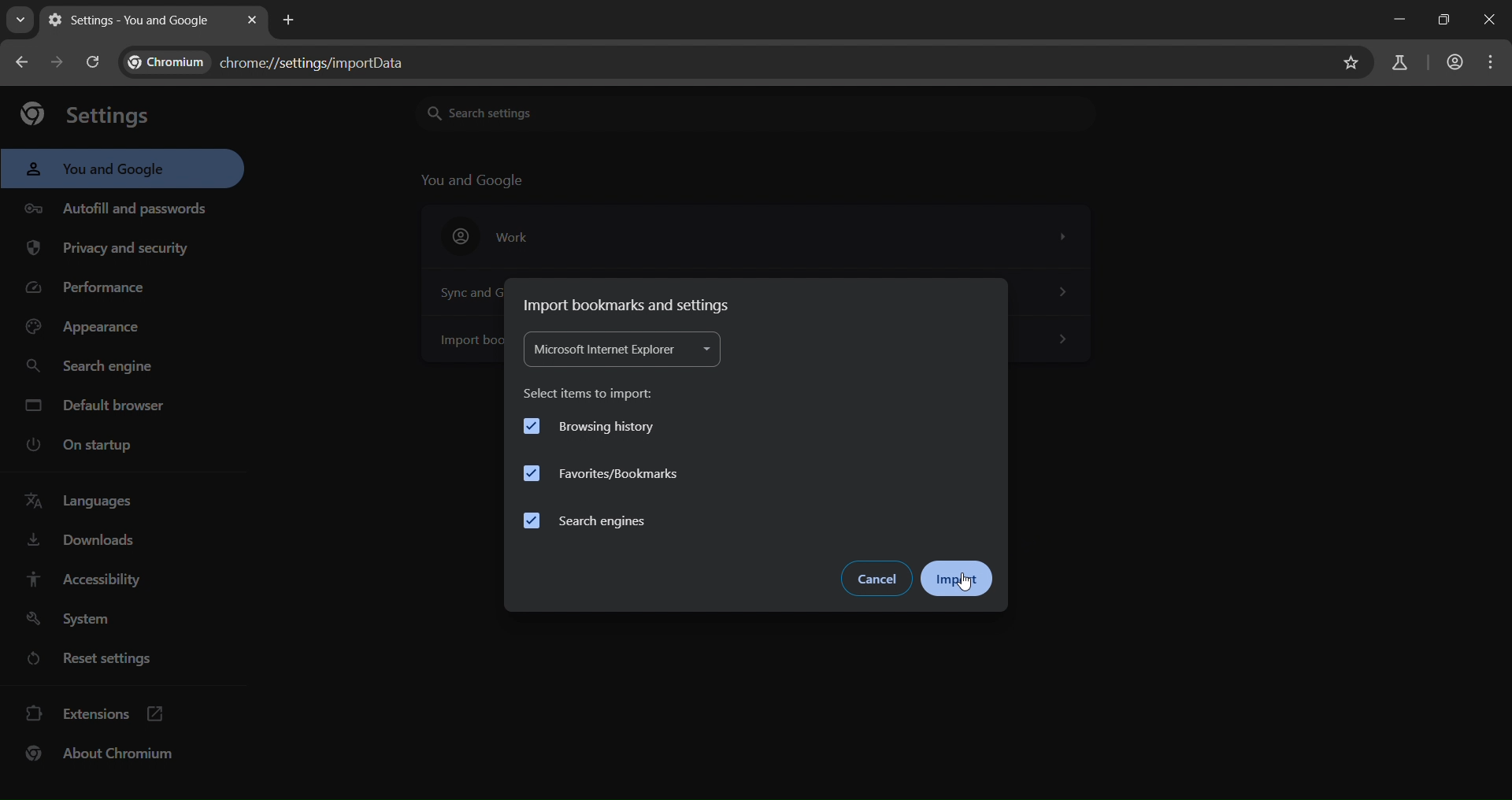 Image resolution: width=1512 pixels, height=800 pixels. Describe the element at coordinates (476, 180) in the screenshot. I see `You and Google` at that location.